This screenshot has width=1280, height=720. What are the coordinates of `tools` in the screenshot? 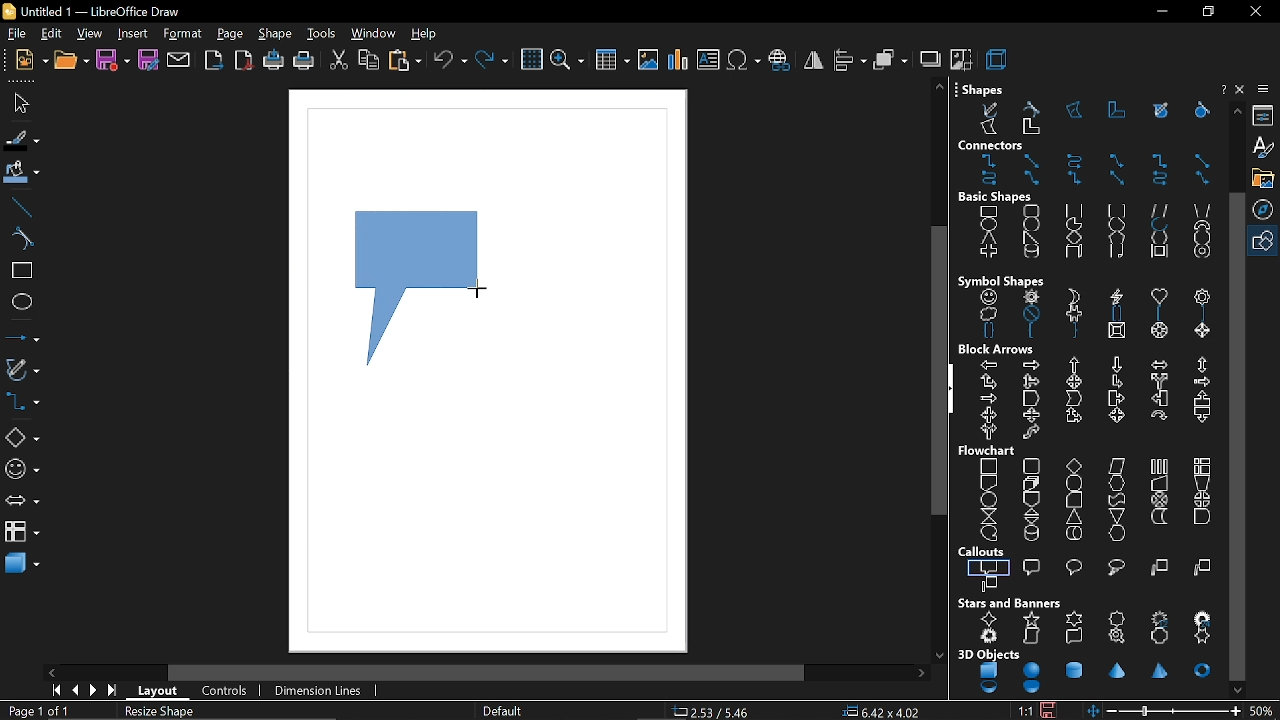 It's located at (324, 35).